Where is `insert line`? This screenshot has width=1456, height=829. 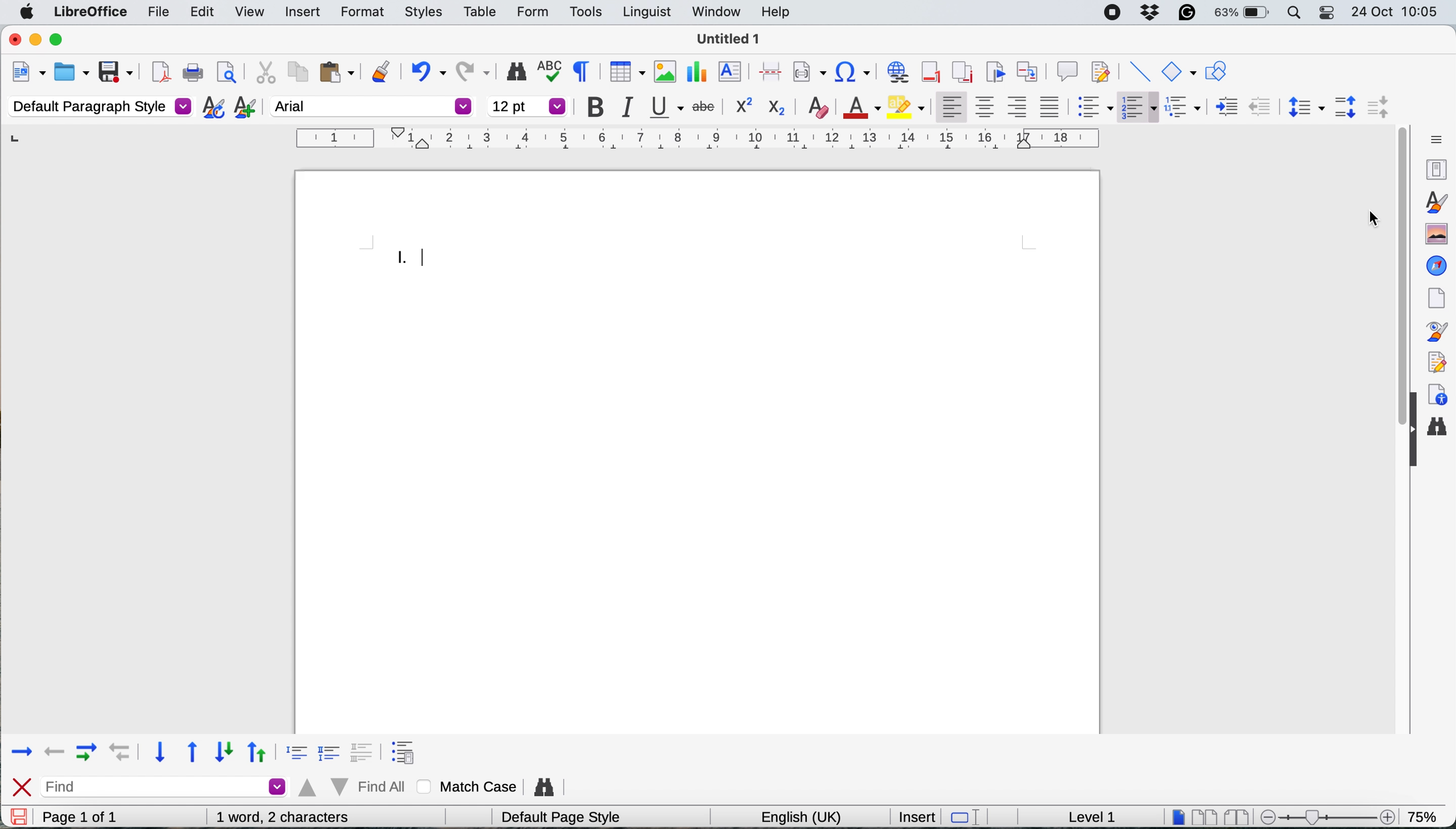
insert line is located at coordinates (1138, 72).